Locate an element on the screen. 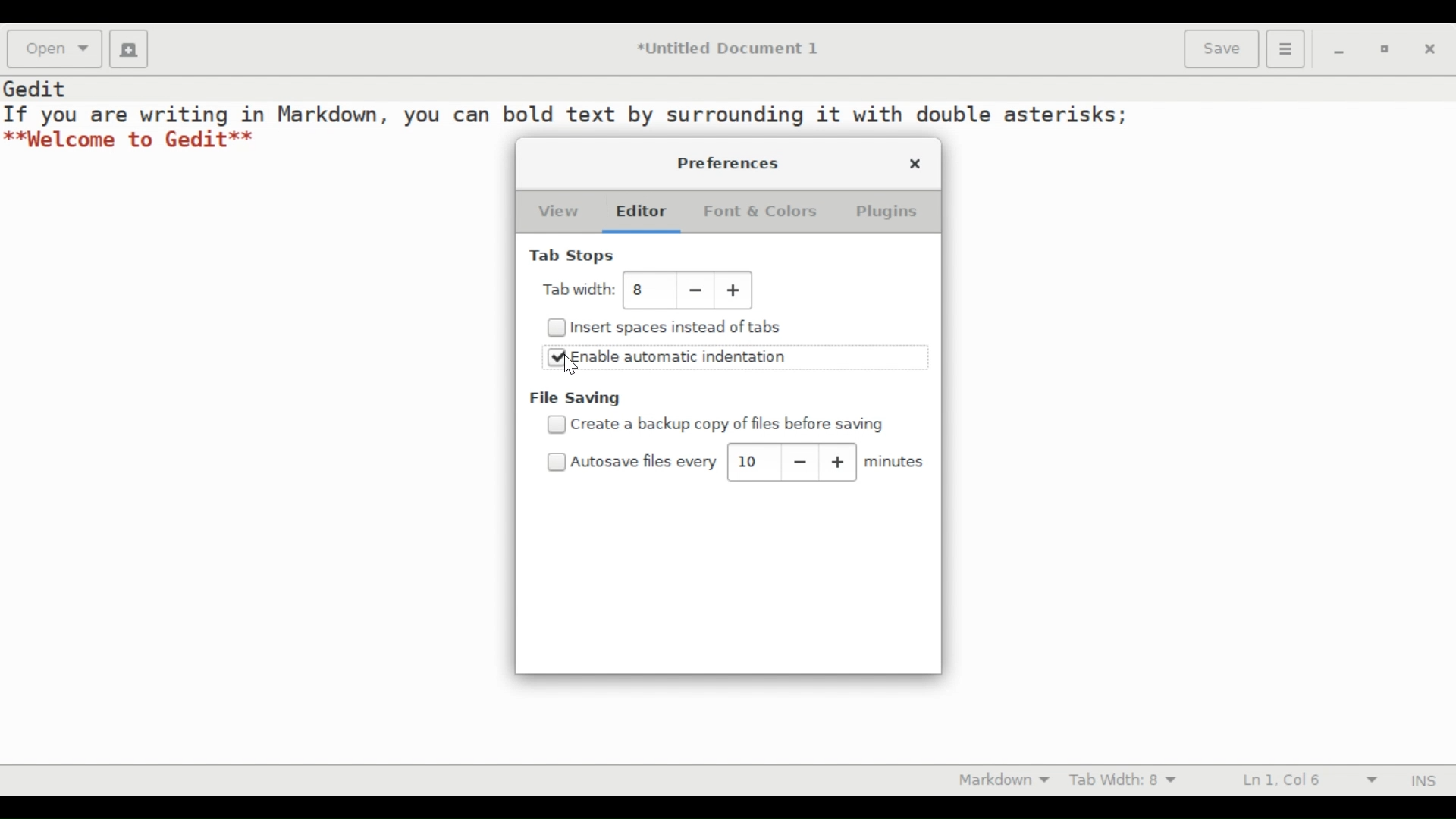 This screenshot has width=1456, height=819. Checked Checkbox is located at coordinates (557, 356).